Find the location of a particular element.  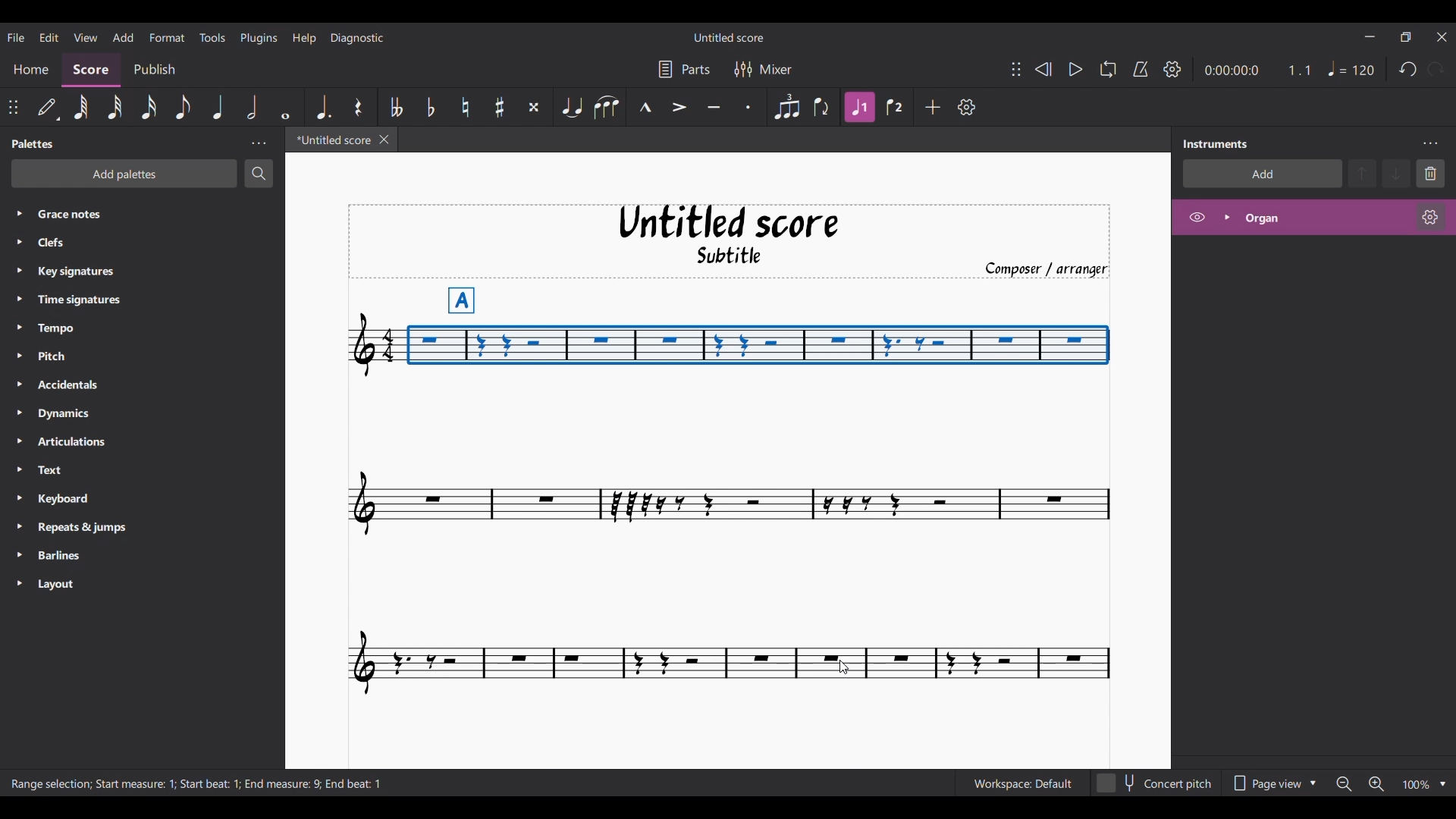

Accent is located at coordinates (678, 107).